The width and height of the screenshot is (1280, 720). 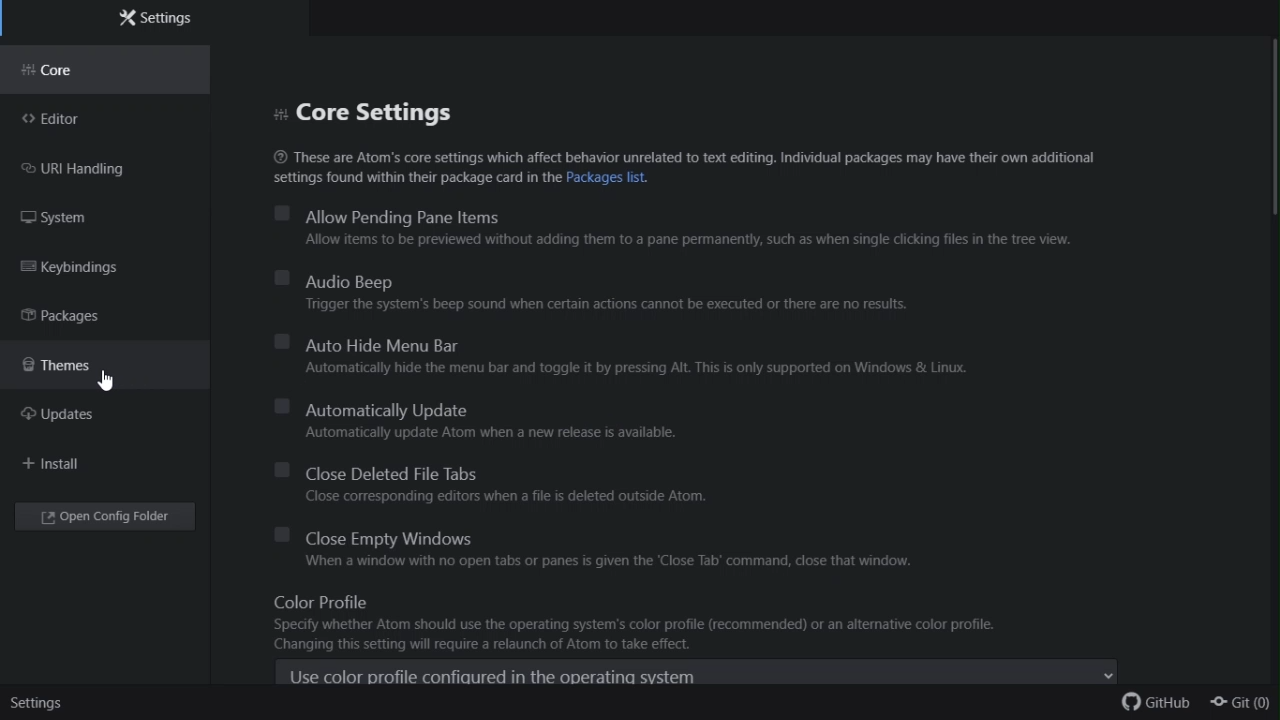 What do you see at coordinates (74, 416) in the screenshot?
I see `Updates` at bounding box center [74, 416].